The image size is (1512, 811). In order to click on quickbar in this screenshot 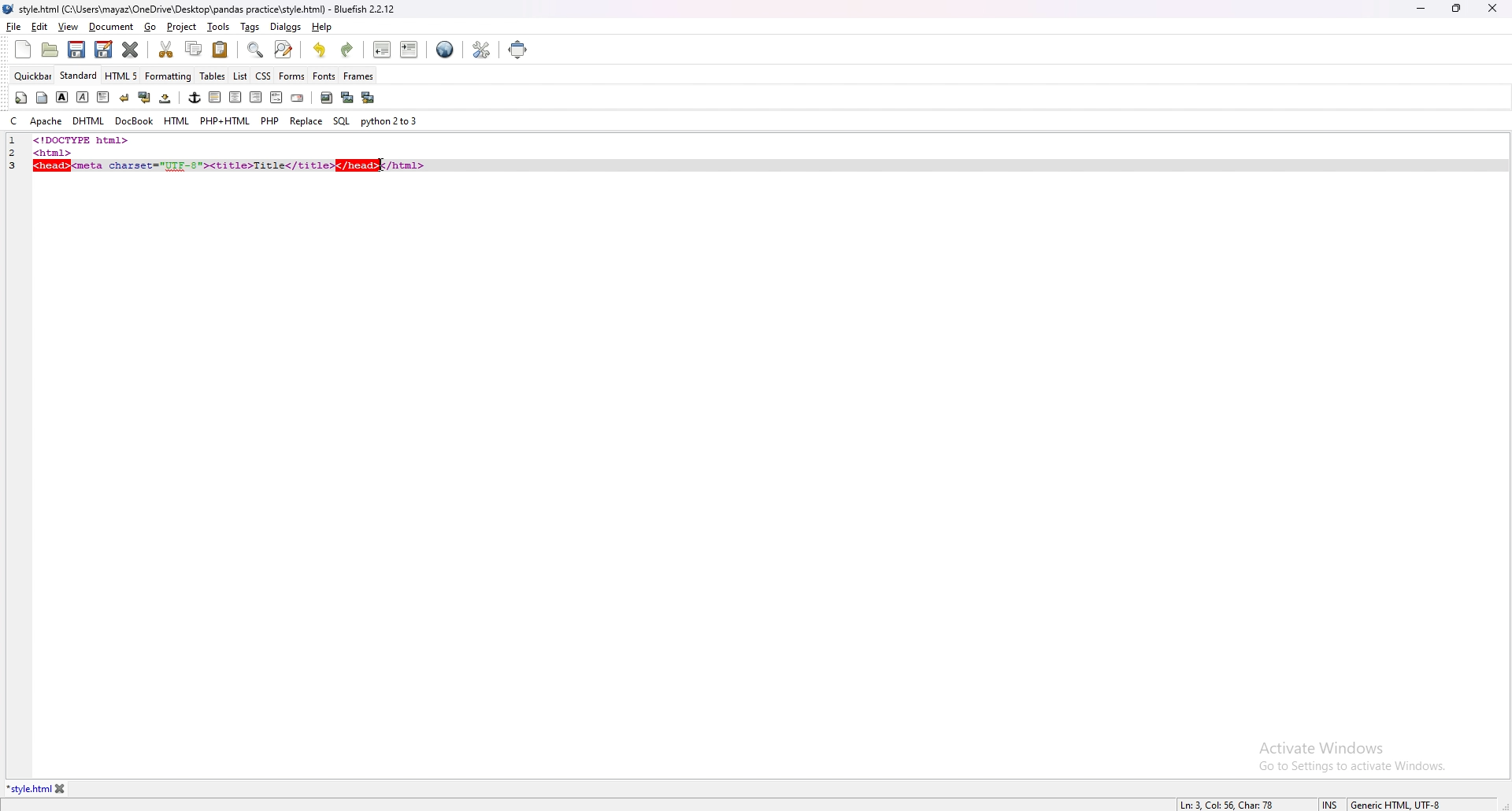, I will do `click(34, 76)`.